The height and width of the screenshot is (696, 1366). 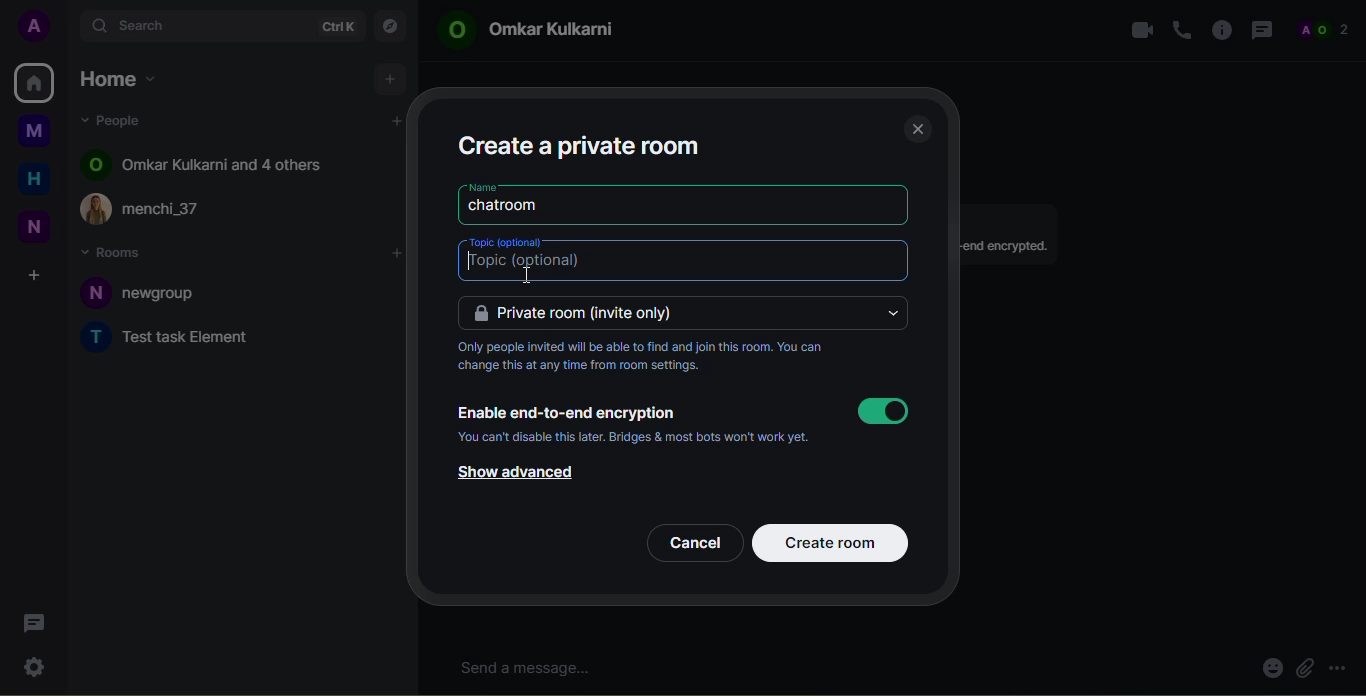 I want to click on add, so click(x=398, y=254).